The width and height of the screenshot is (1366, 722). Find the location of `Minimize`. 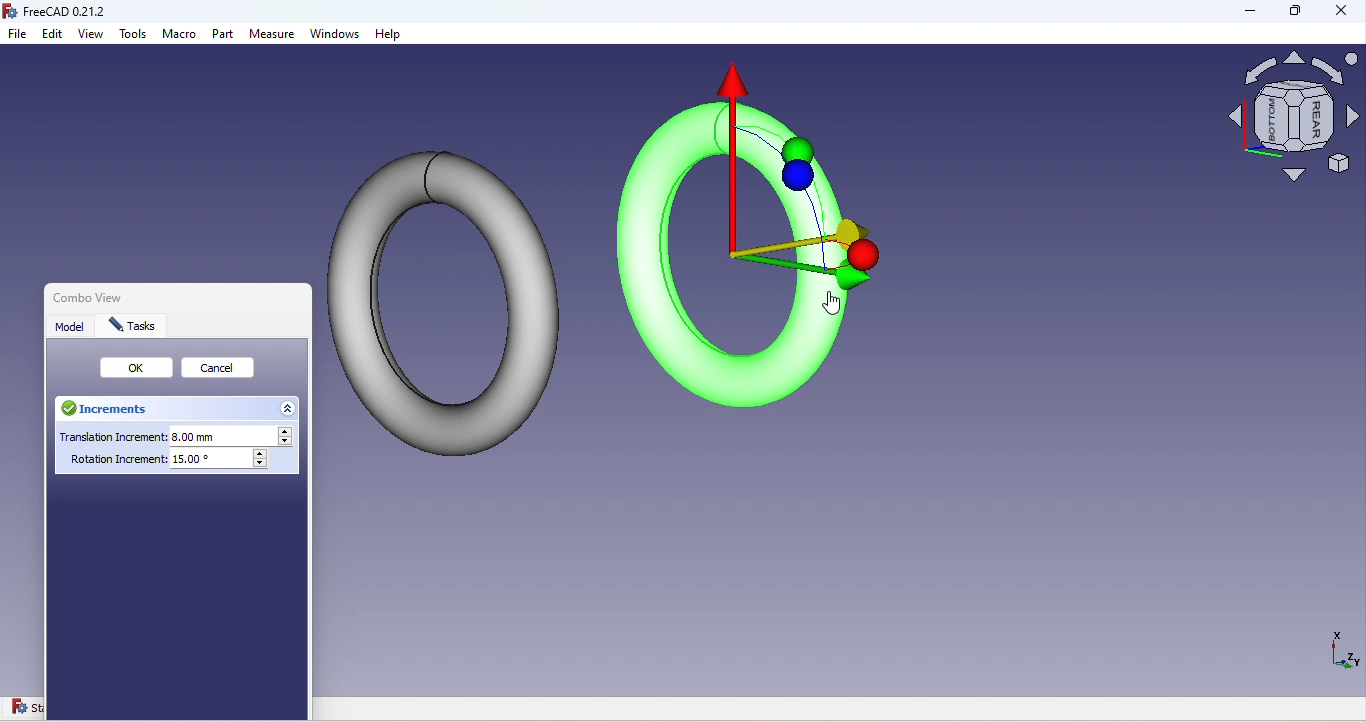

Minimize is located at coordinates (1241, 14).